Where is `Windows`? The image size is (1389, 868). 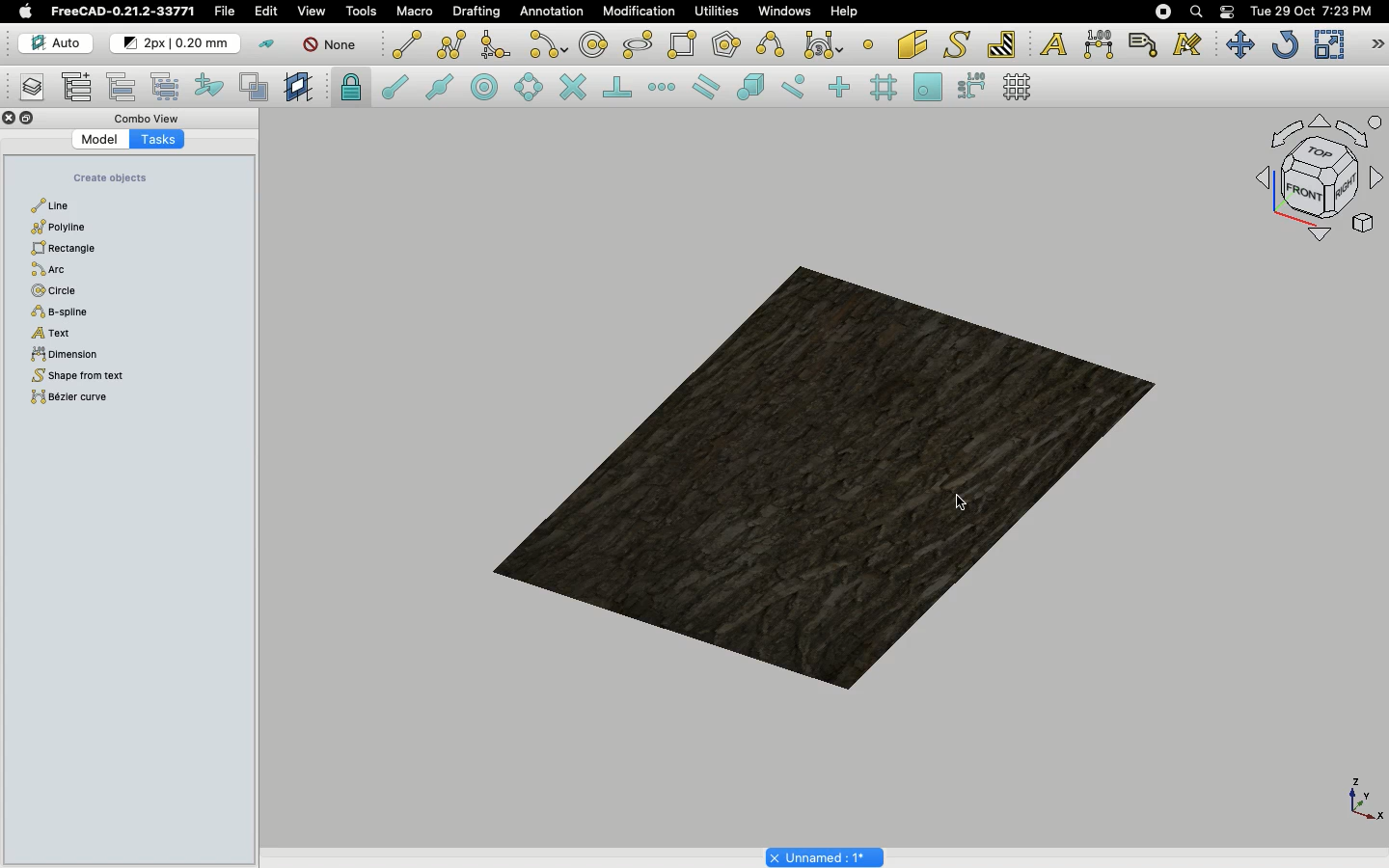
Windows is located at coordinates (782, 12).